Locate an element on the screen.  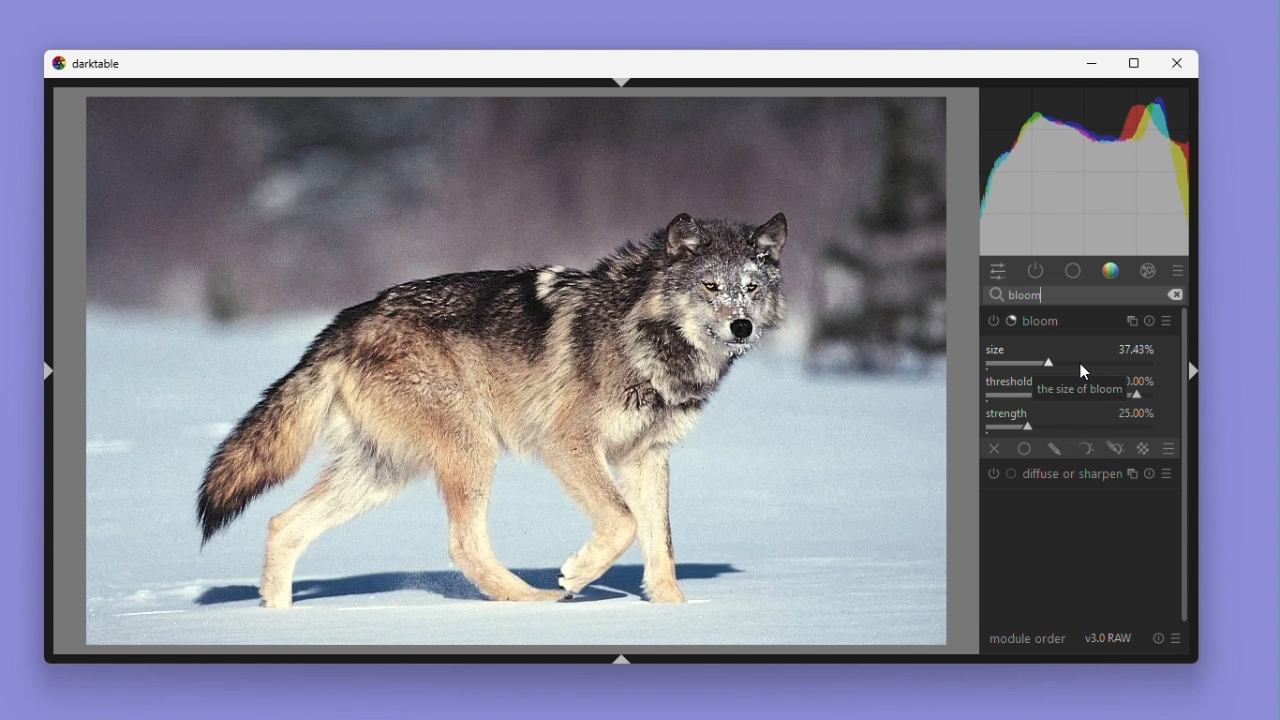
shift+ctrl+b is located at coordinates (621, 660).